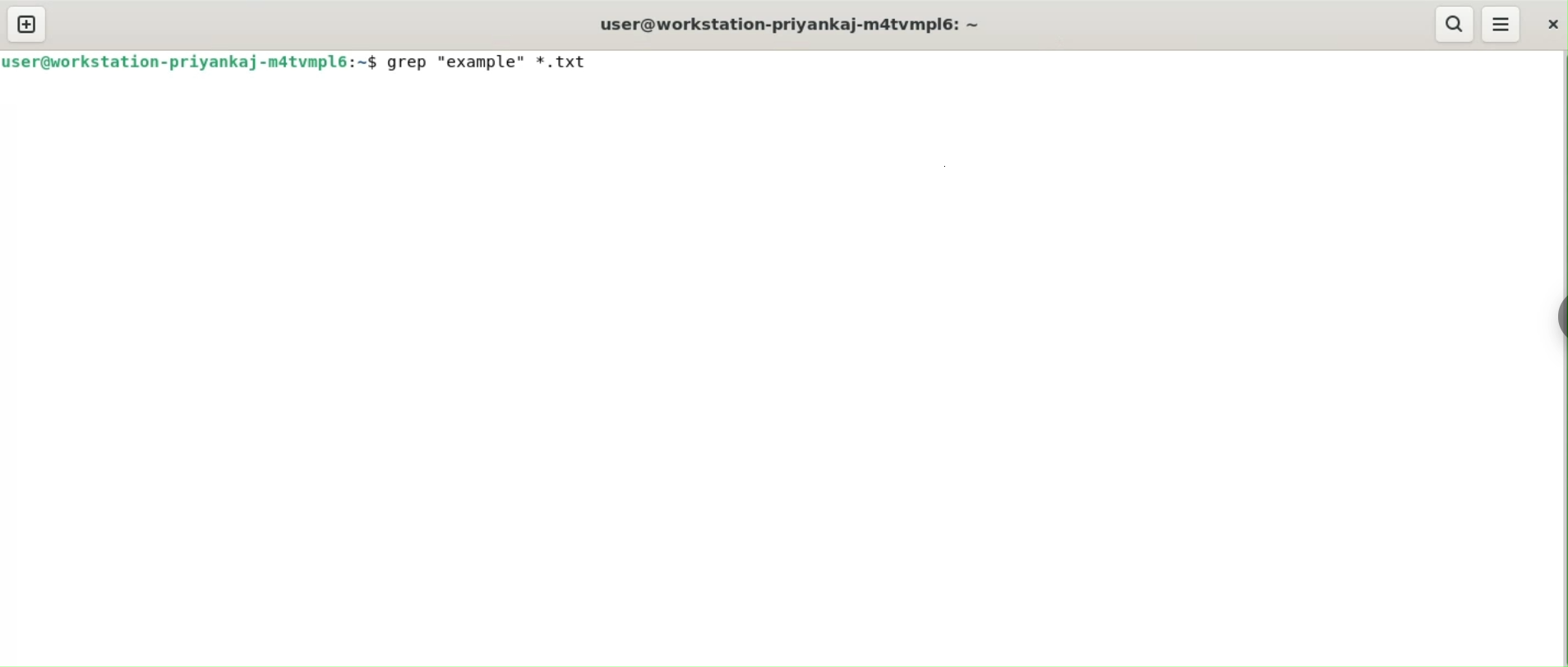 The image size is (1568, 667). I want to click on new tab, so click(27, 22).